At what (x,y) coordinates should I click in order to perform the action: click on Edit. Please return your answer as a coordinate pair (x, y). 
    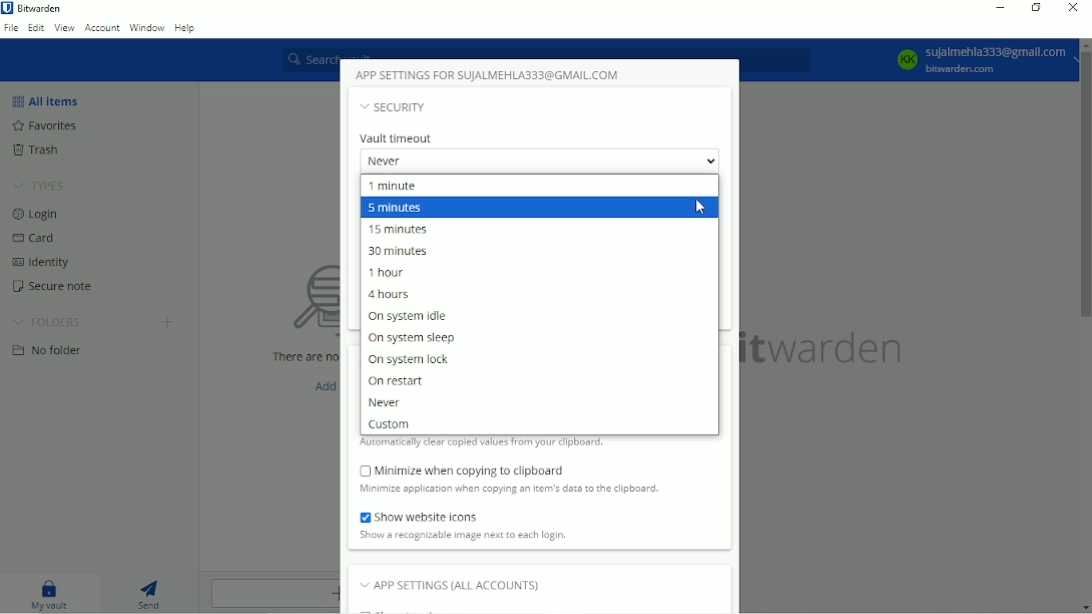
    Looking at the image, I should click on (34, 29).